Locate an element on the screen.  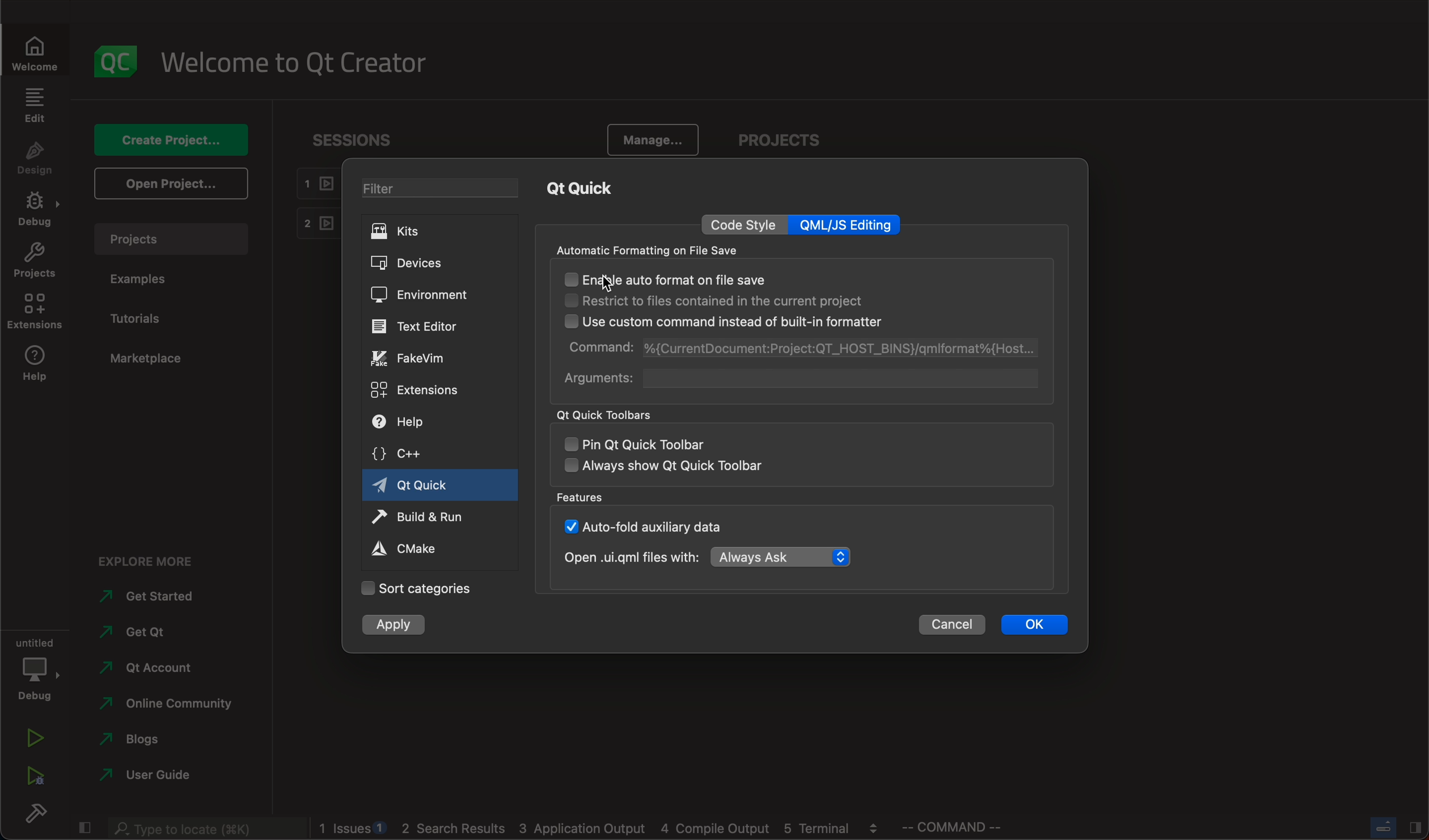
guide is located at coordinates (160, 776).